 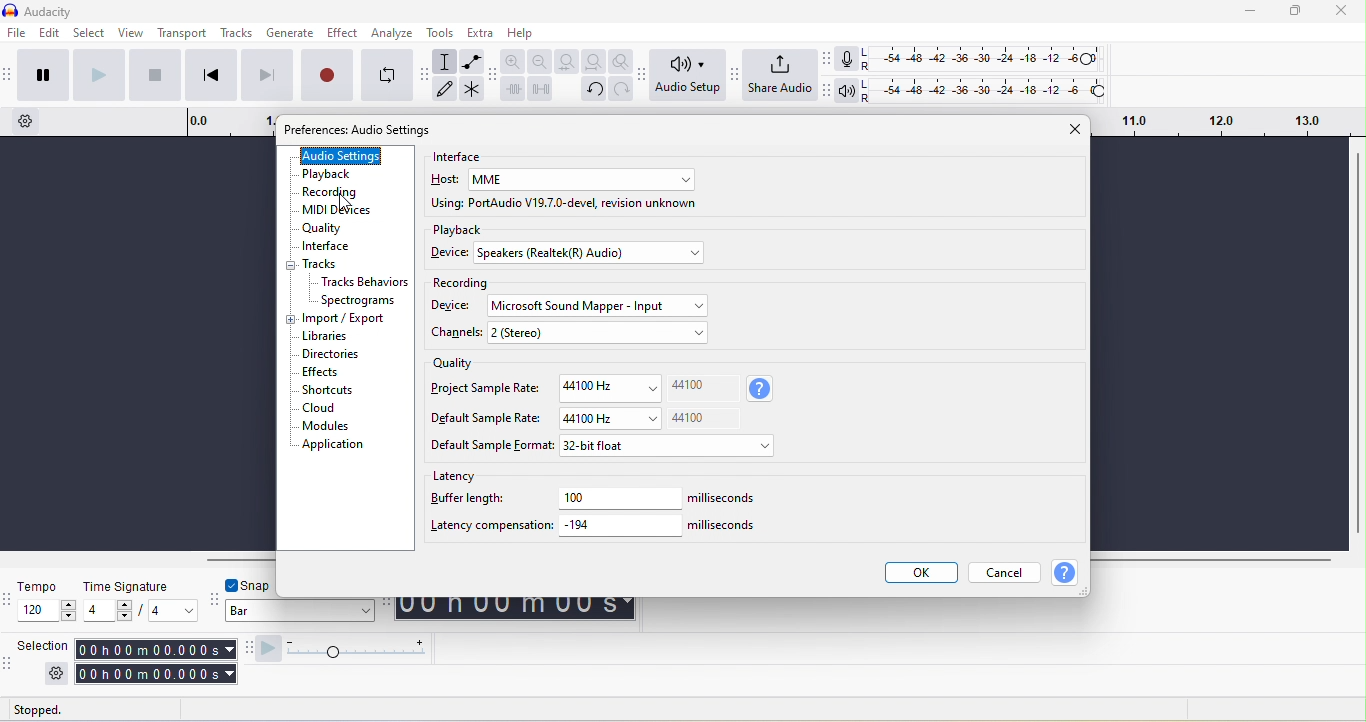 What do you see at coordinates (689, 74) in the screenshot?
I see `audio setup` at bounding box center [689, 74].